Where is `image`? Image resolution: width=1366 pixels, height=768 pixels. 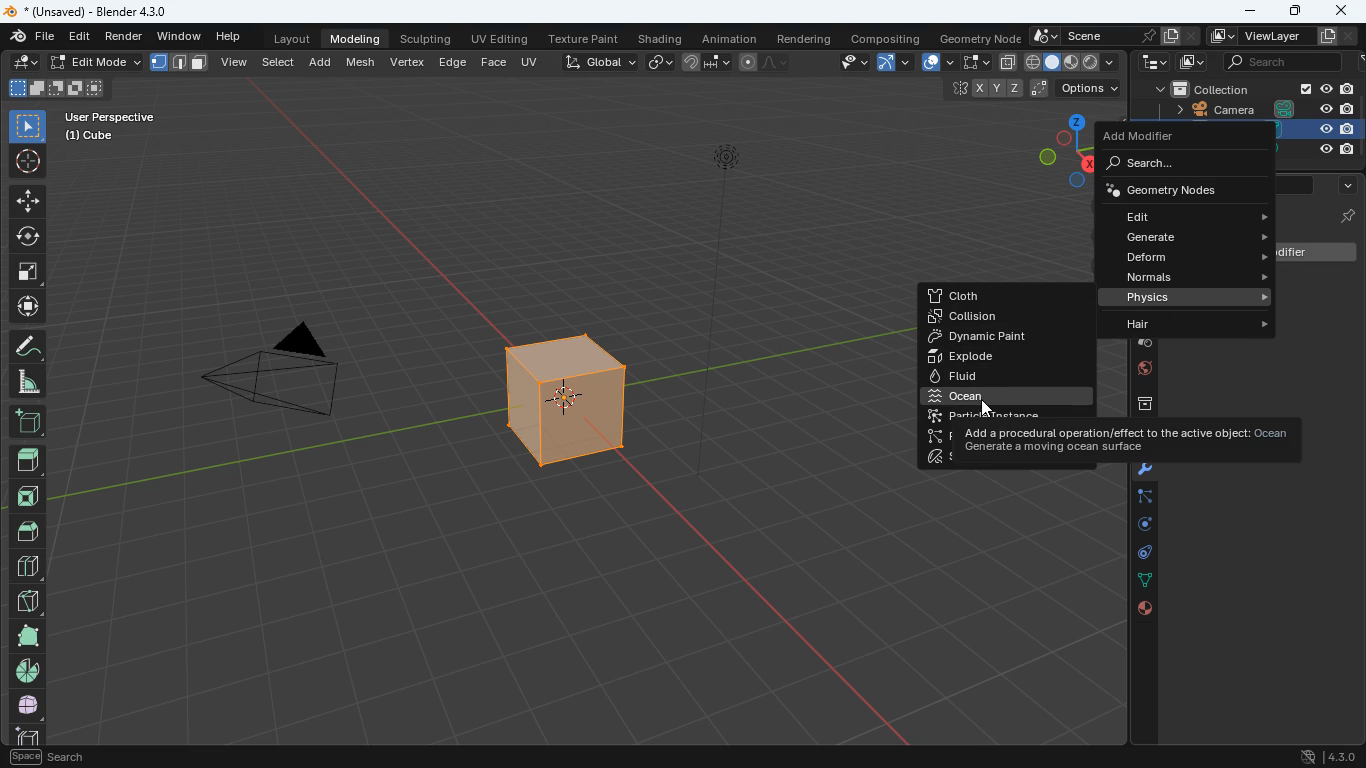 image is located at coordinates (1194, 65).